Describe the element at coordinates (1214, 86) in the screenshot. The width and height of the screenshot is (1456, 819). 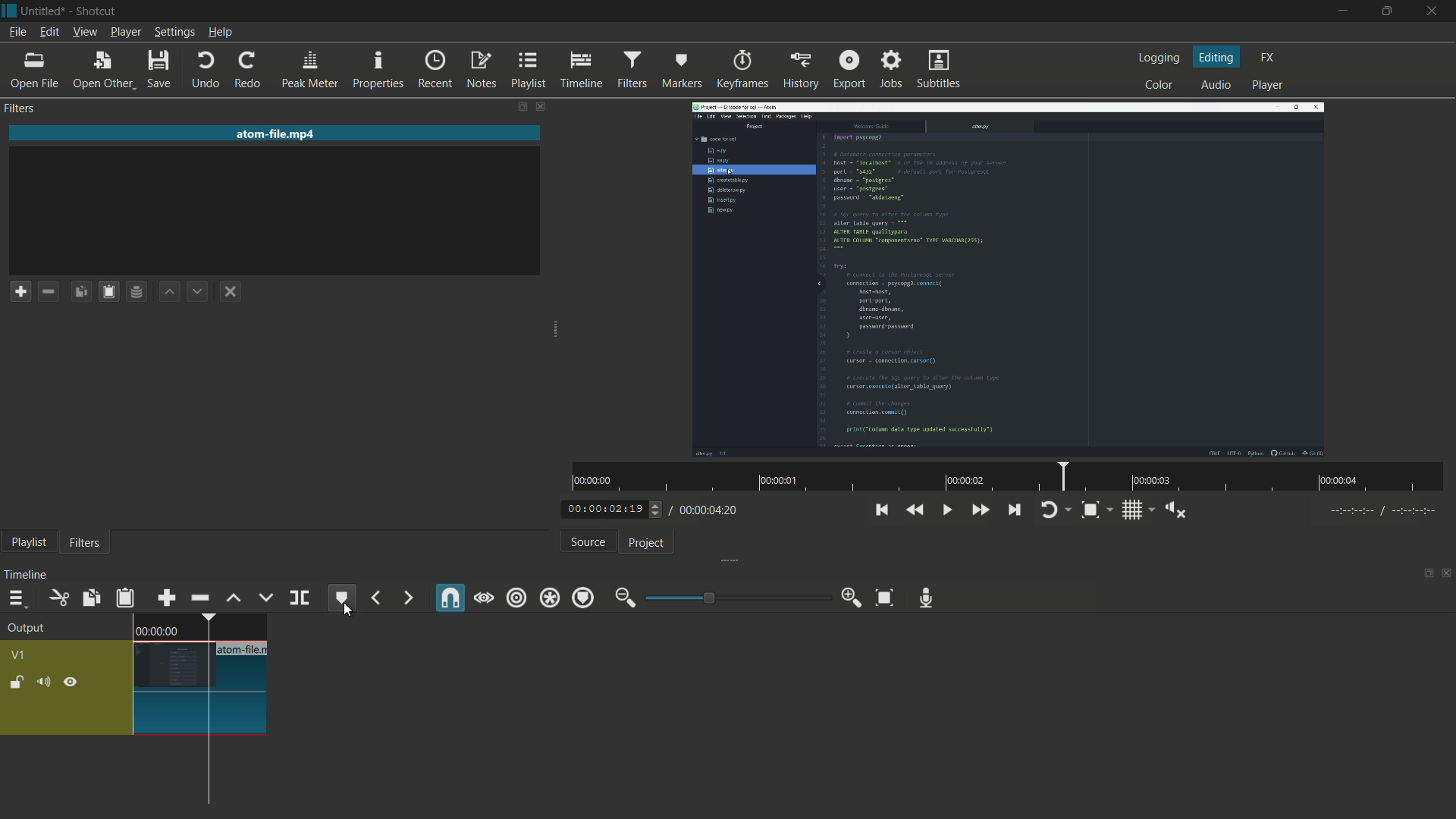
I see `audio` at that location.